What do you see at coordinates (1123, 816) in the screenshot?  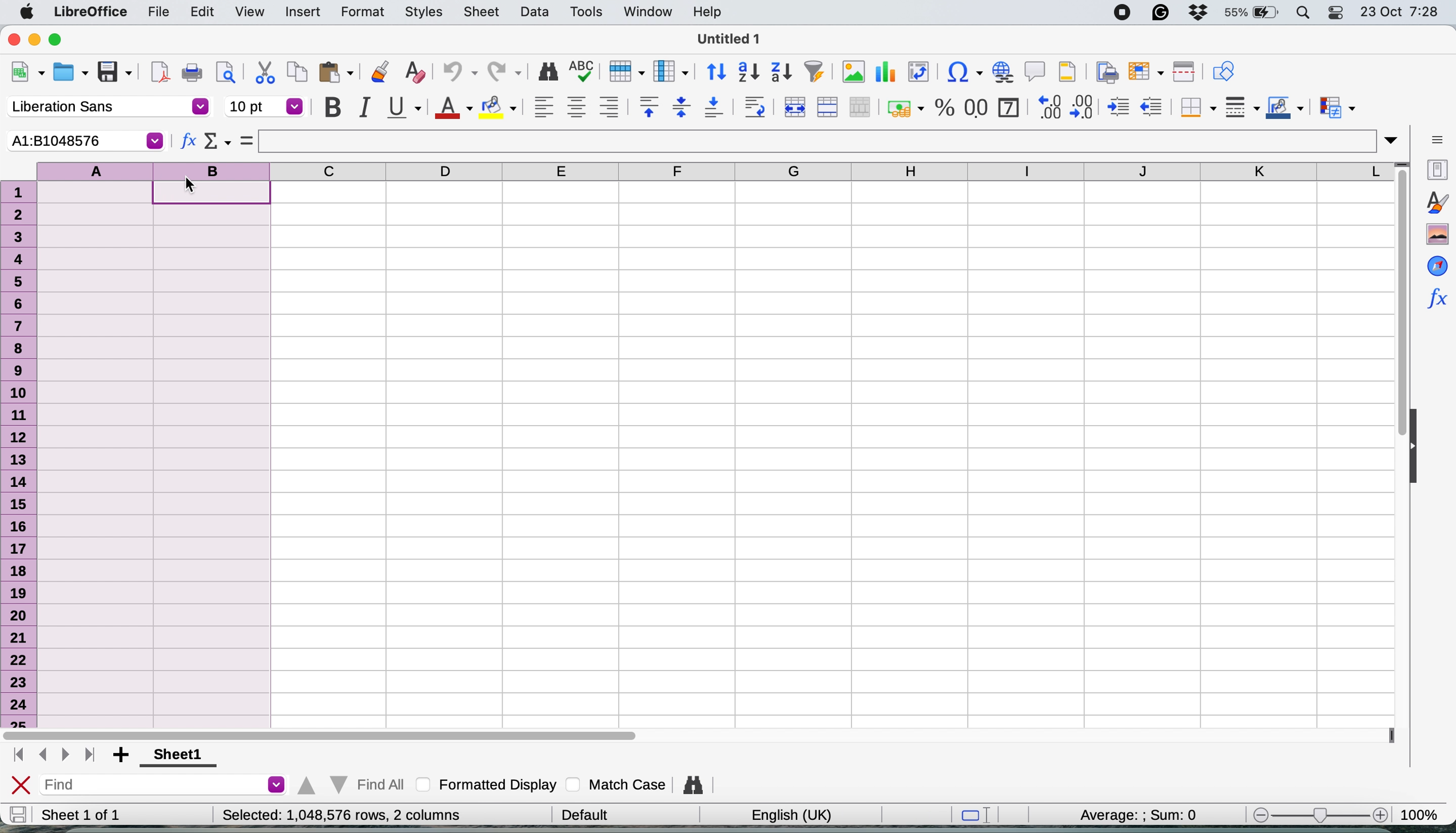 I see `average and sum` at bounding box center [1123, 816].